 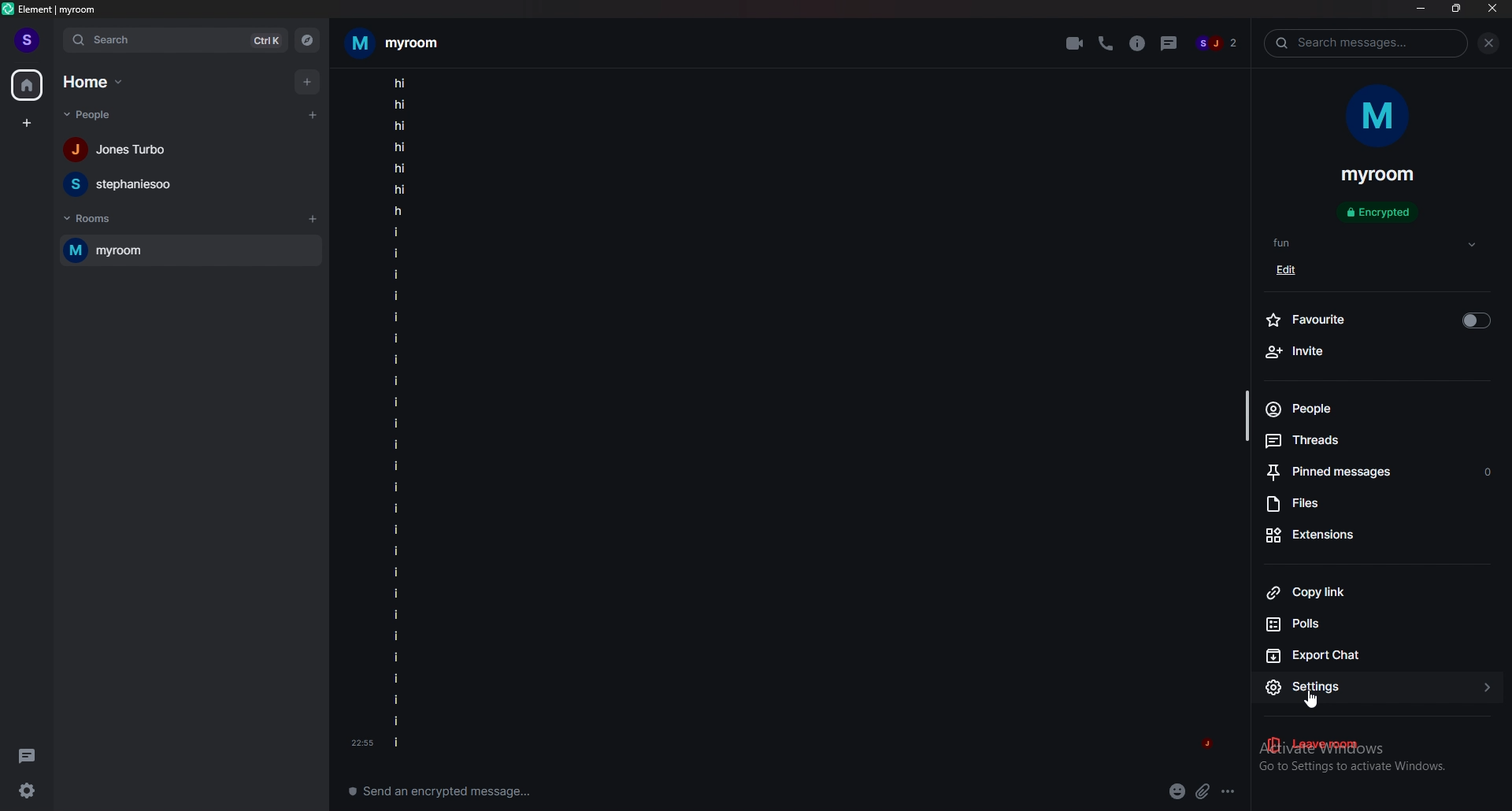 What do you see at coordinates (1380, 688) in the screenshot?
I see `settings` at bounding box center [1380, 688].